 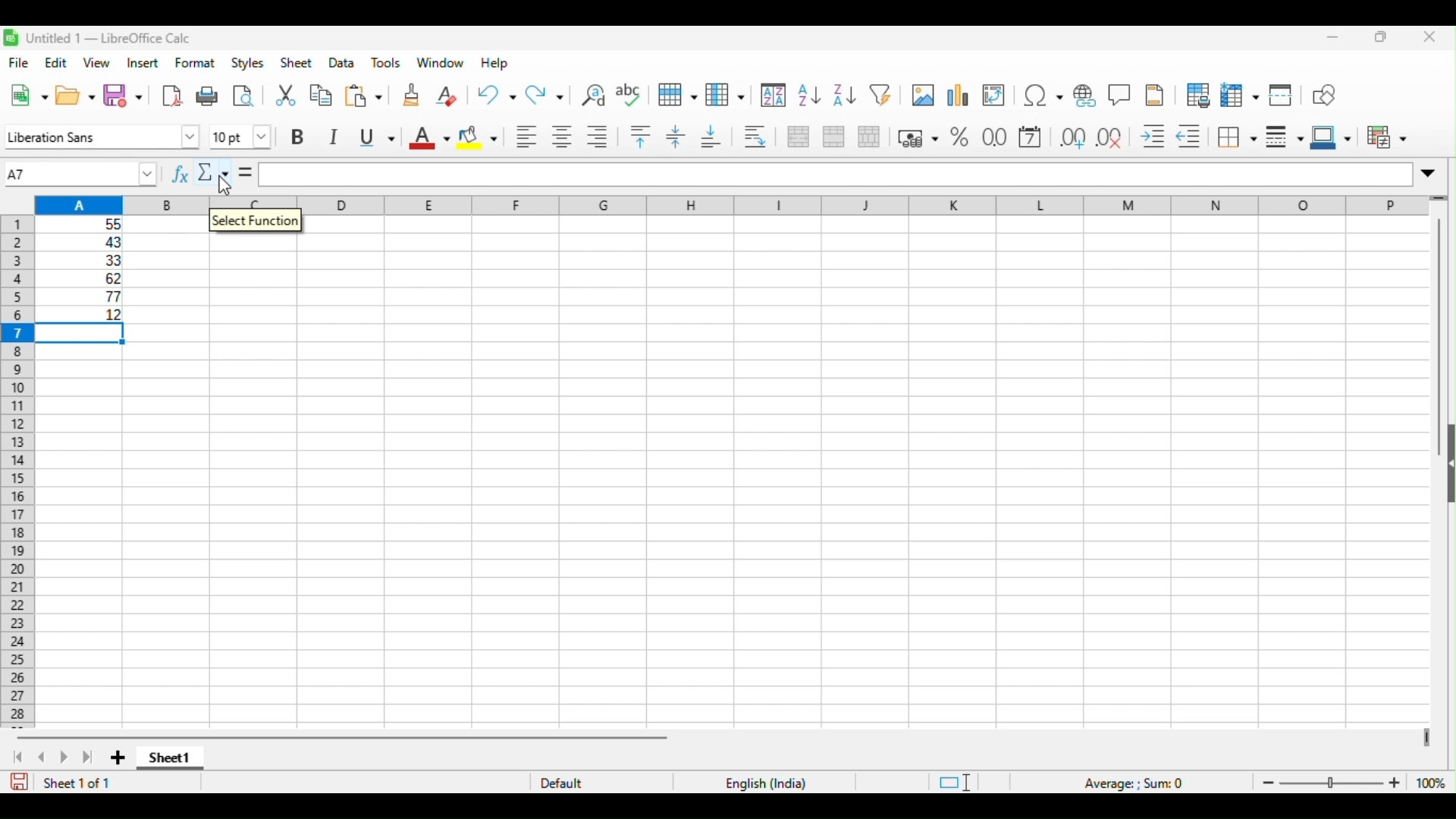 What do you see at coordinates (806, 95) in the screenshot?
I see `sort ascending` at bounding box center [806, 95].